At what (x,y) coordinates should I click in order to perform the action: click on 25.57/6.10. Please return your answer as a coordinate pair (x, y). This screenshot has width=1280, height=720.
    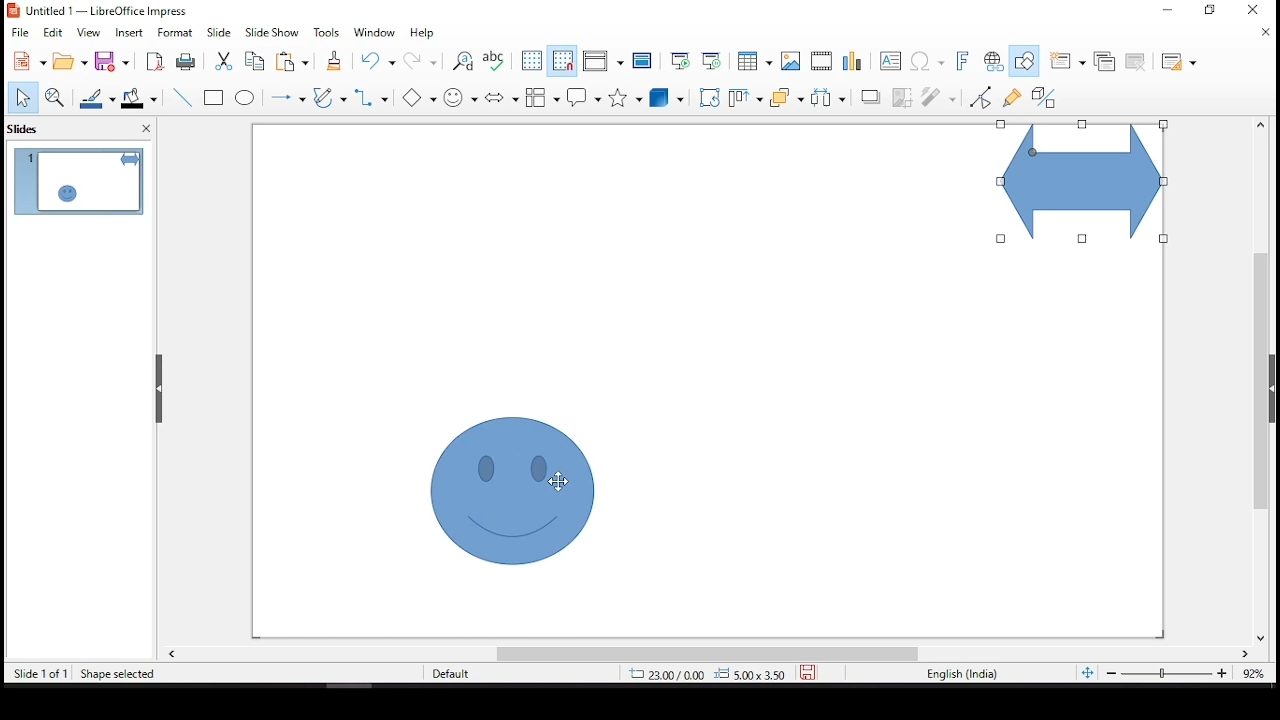
    Looking at the image, I should click on (665, 675).